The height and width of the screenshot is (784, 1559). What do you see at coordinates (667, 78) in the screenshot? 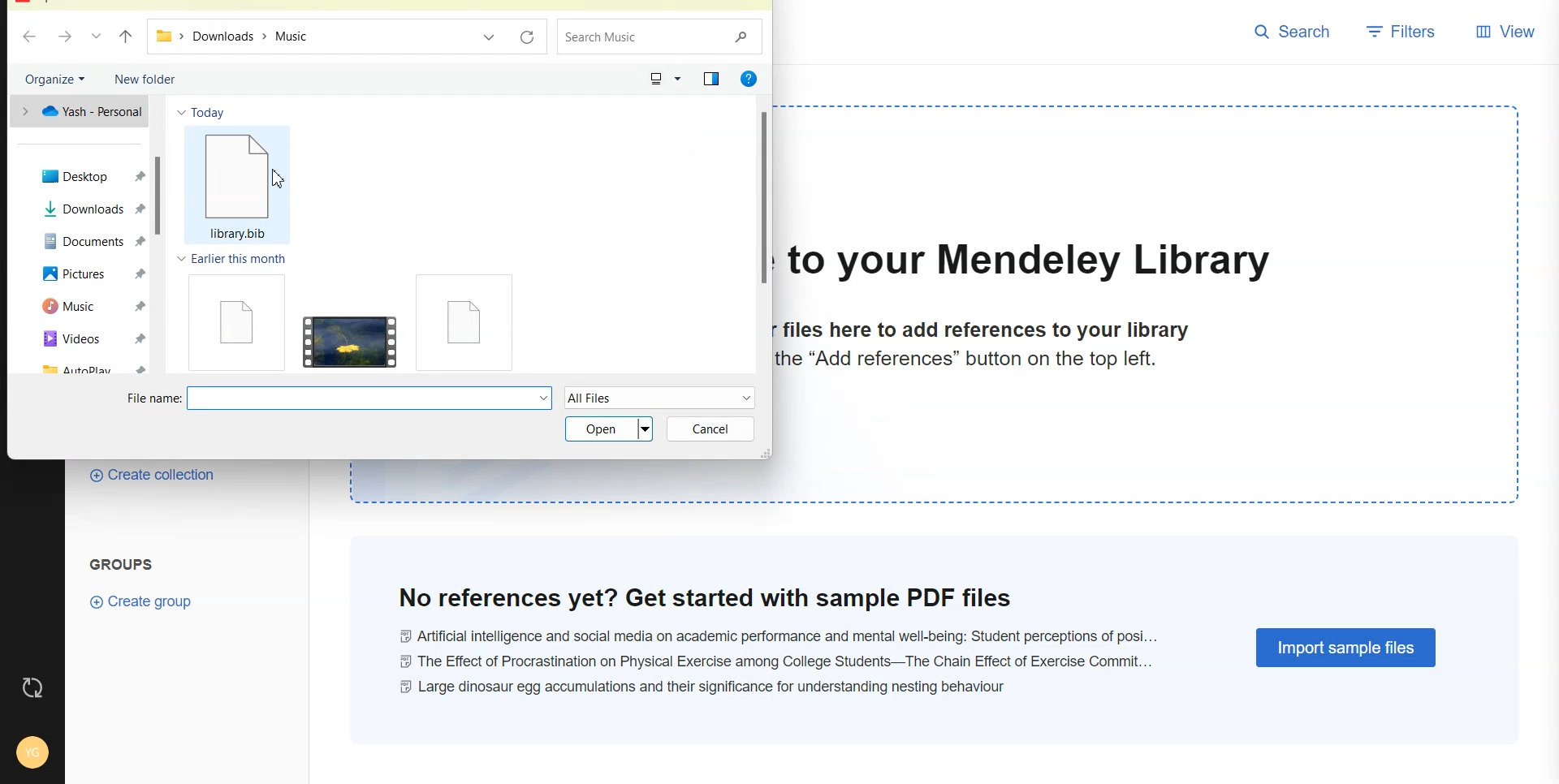
I see `Change your view` at bounding box center [667, 78].